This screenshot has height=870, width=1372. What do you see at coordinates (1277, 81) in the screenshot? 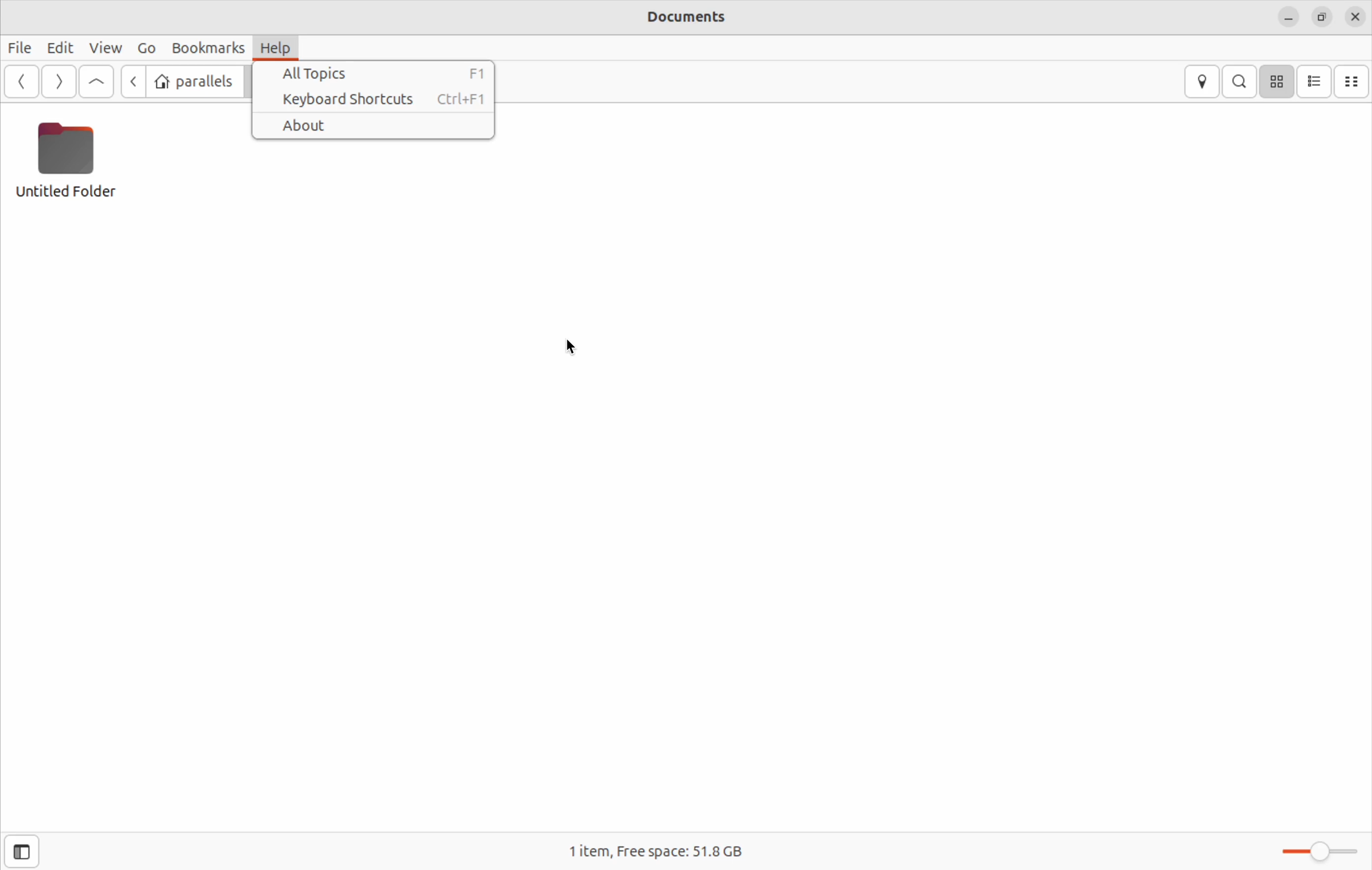
I see `icon view` at bounding box center [1277, 81].